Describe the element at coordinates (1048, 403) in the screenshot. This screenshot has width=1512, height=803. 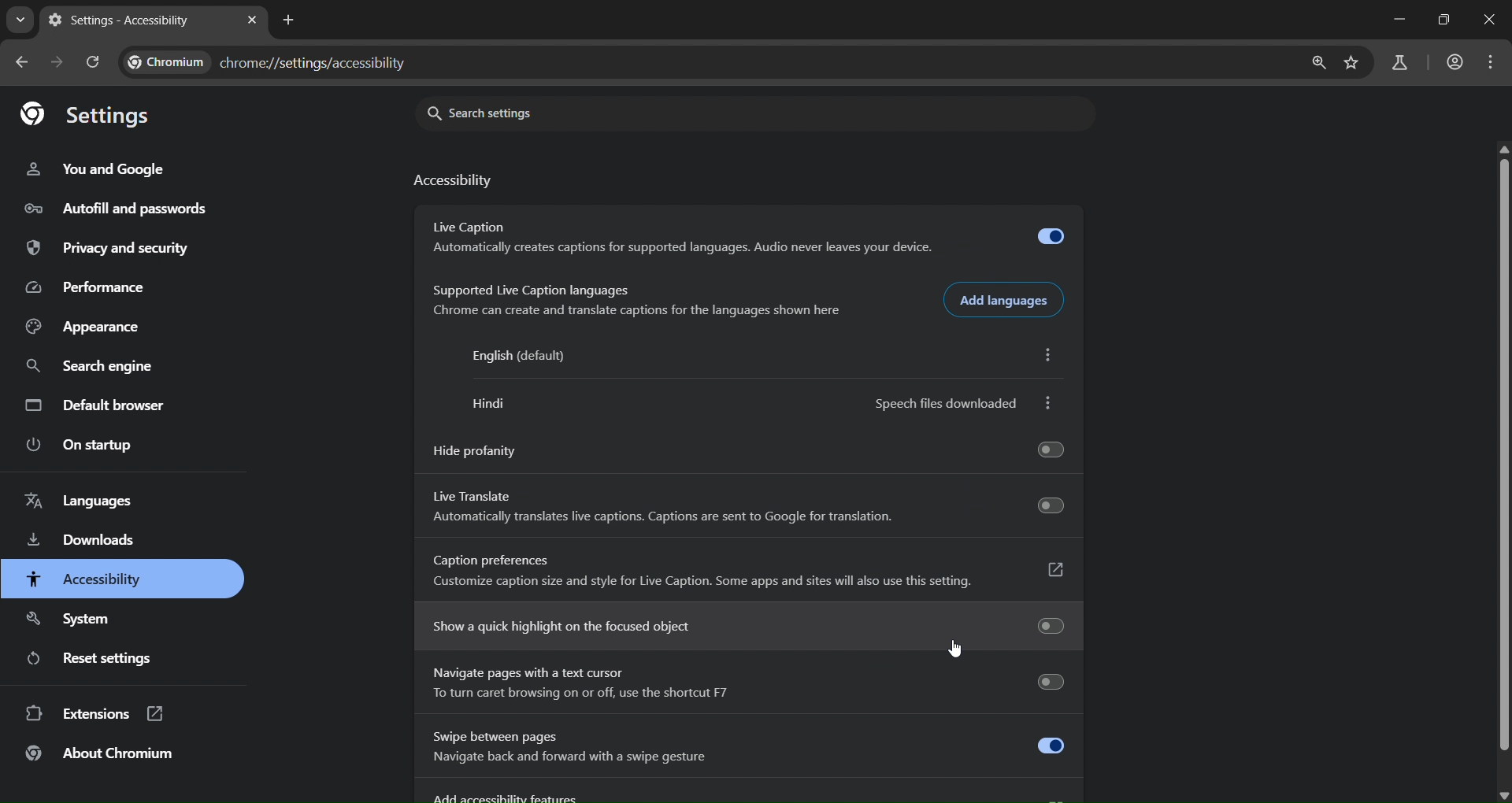
I see `more actions` at that location.